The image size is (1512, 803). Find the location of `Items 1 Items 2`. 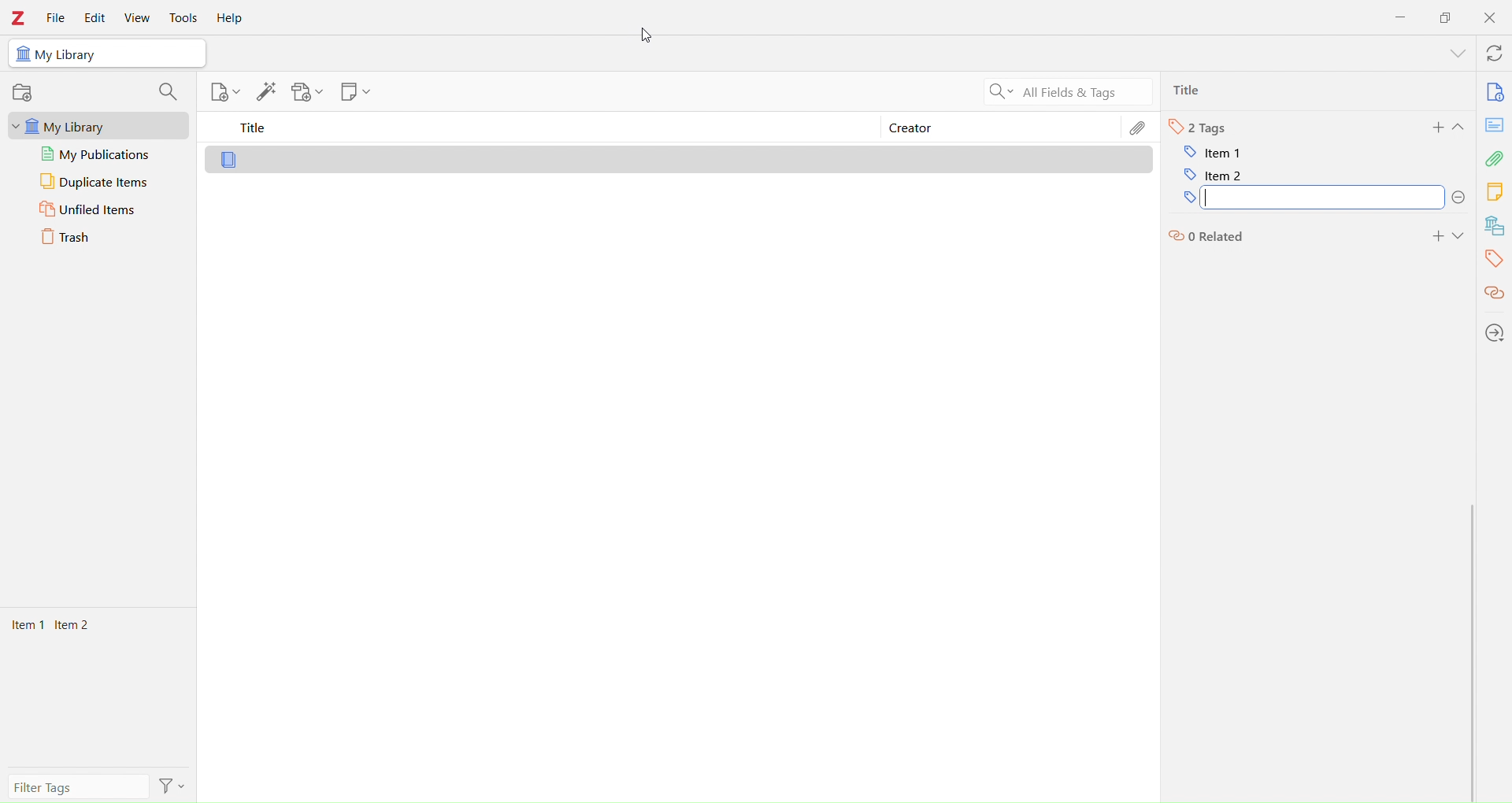

Items 1 Items 2 is located at coordinates (61, 624).